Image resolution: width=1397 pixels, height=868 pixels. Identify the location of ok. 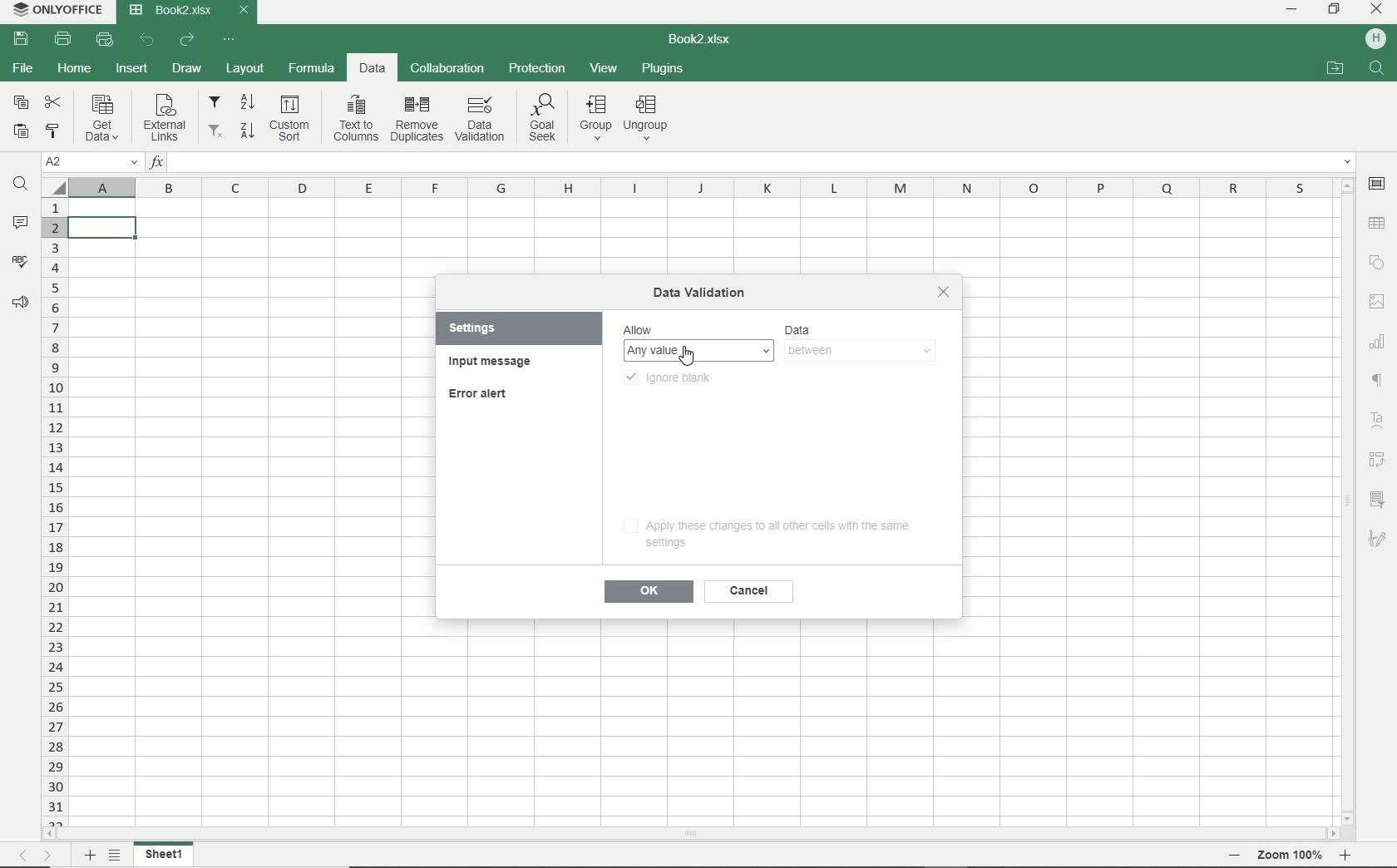
(649, 591).